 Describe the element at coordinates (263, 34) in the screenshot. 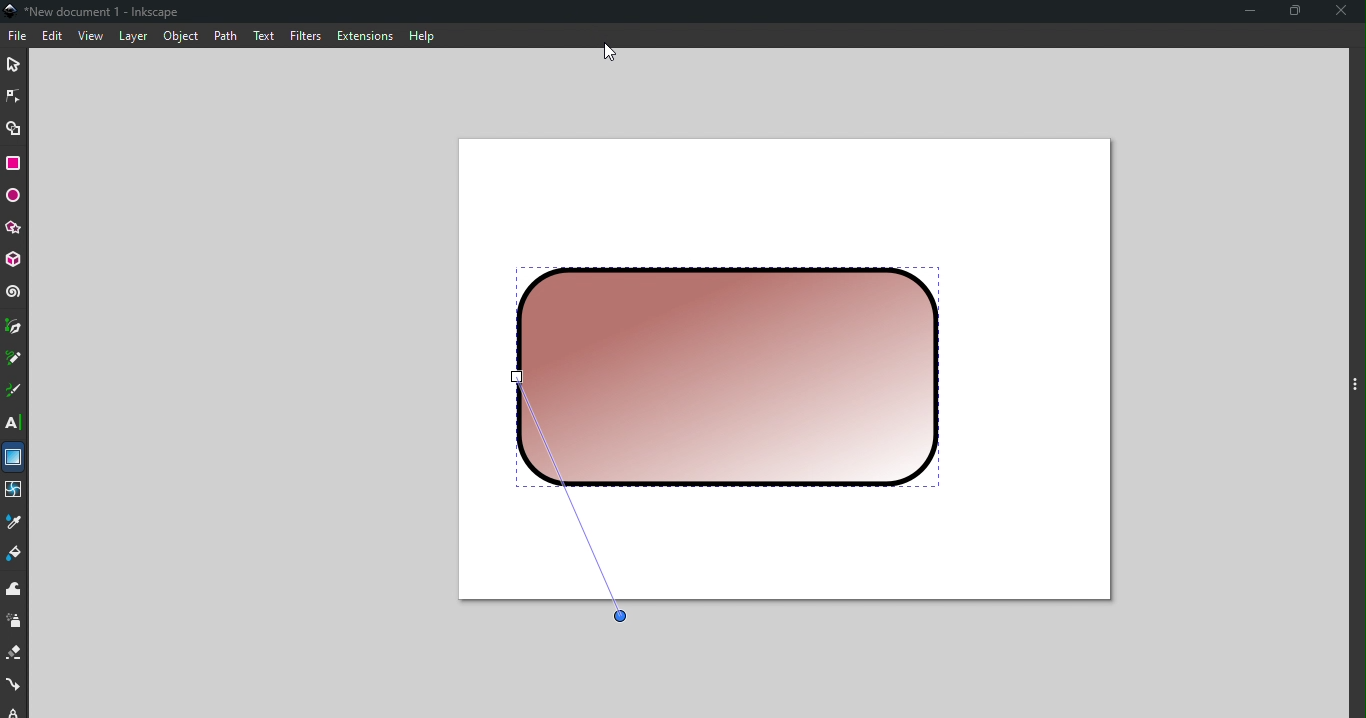

I see `Text` at that location.